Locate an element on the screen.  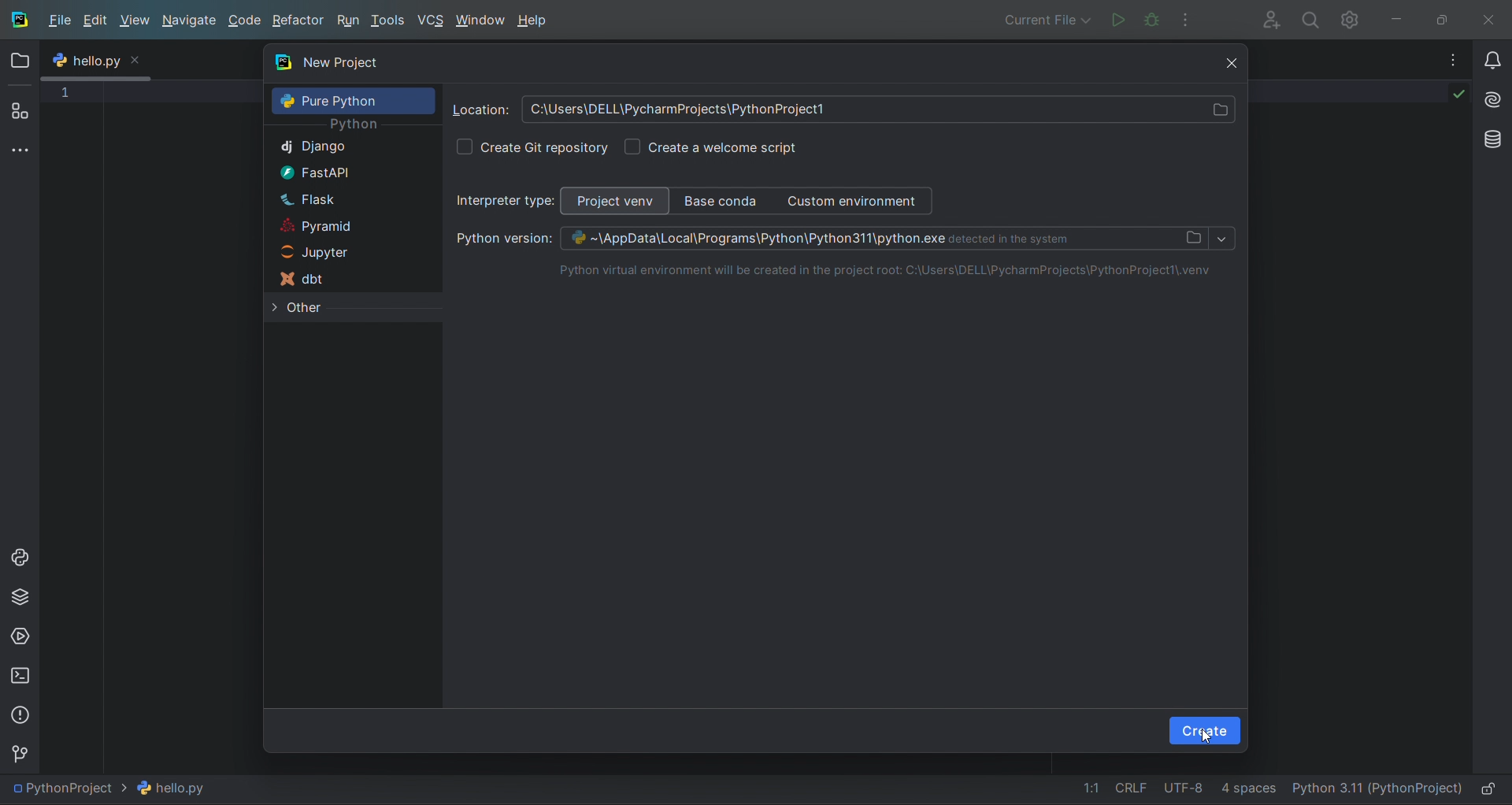
django is located at coordinates (349, 147).